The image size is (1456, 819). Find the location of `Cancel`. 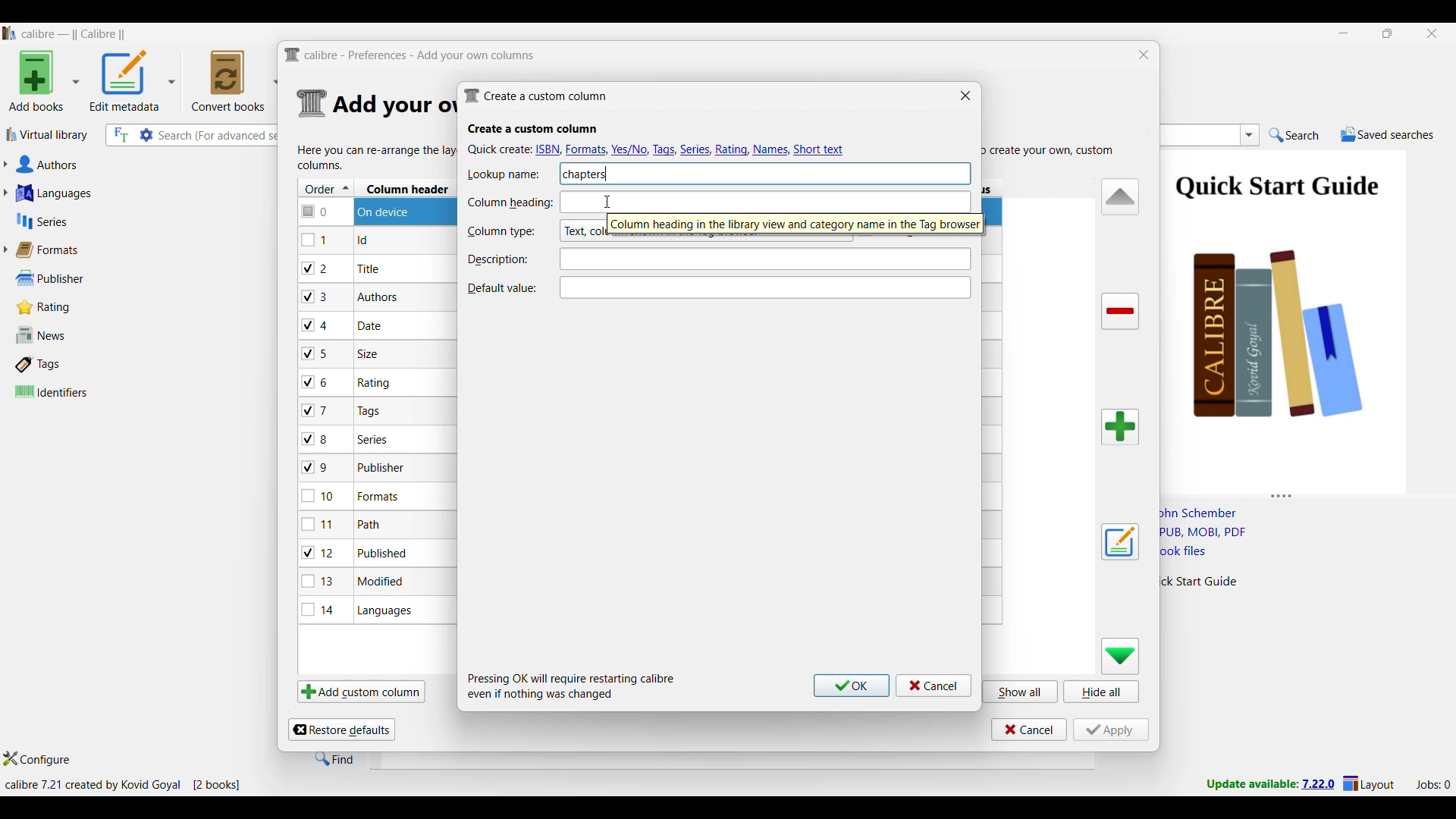

Cancel is located at coordinates (934, 686).